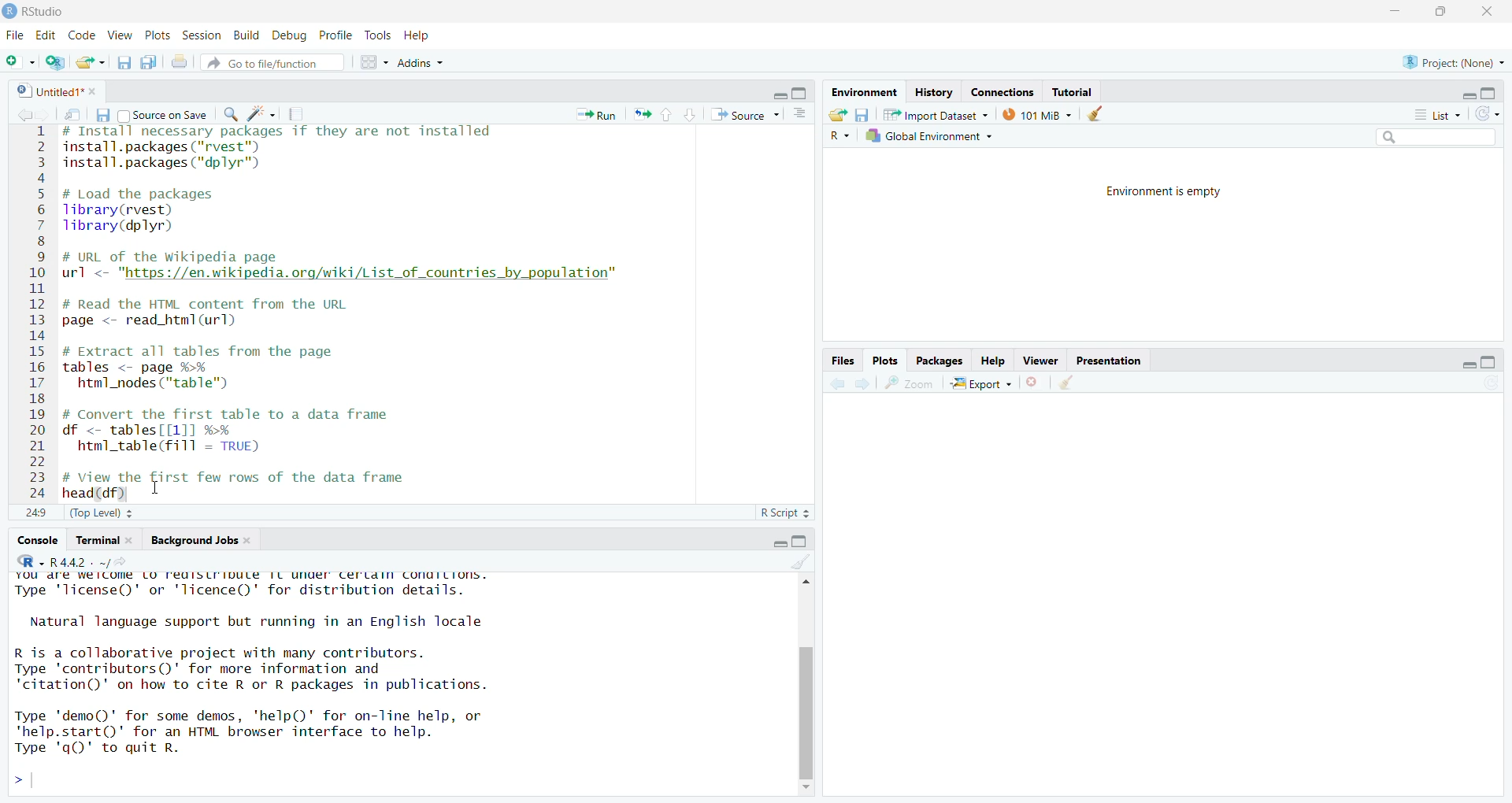 The height and width of the screenshot is (803, 1512). Describe the element at coordinates (258, 622) in the screenshot. I see `Natural language support but running in an English locale` at that location.